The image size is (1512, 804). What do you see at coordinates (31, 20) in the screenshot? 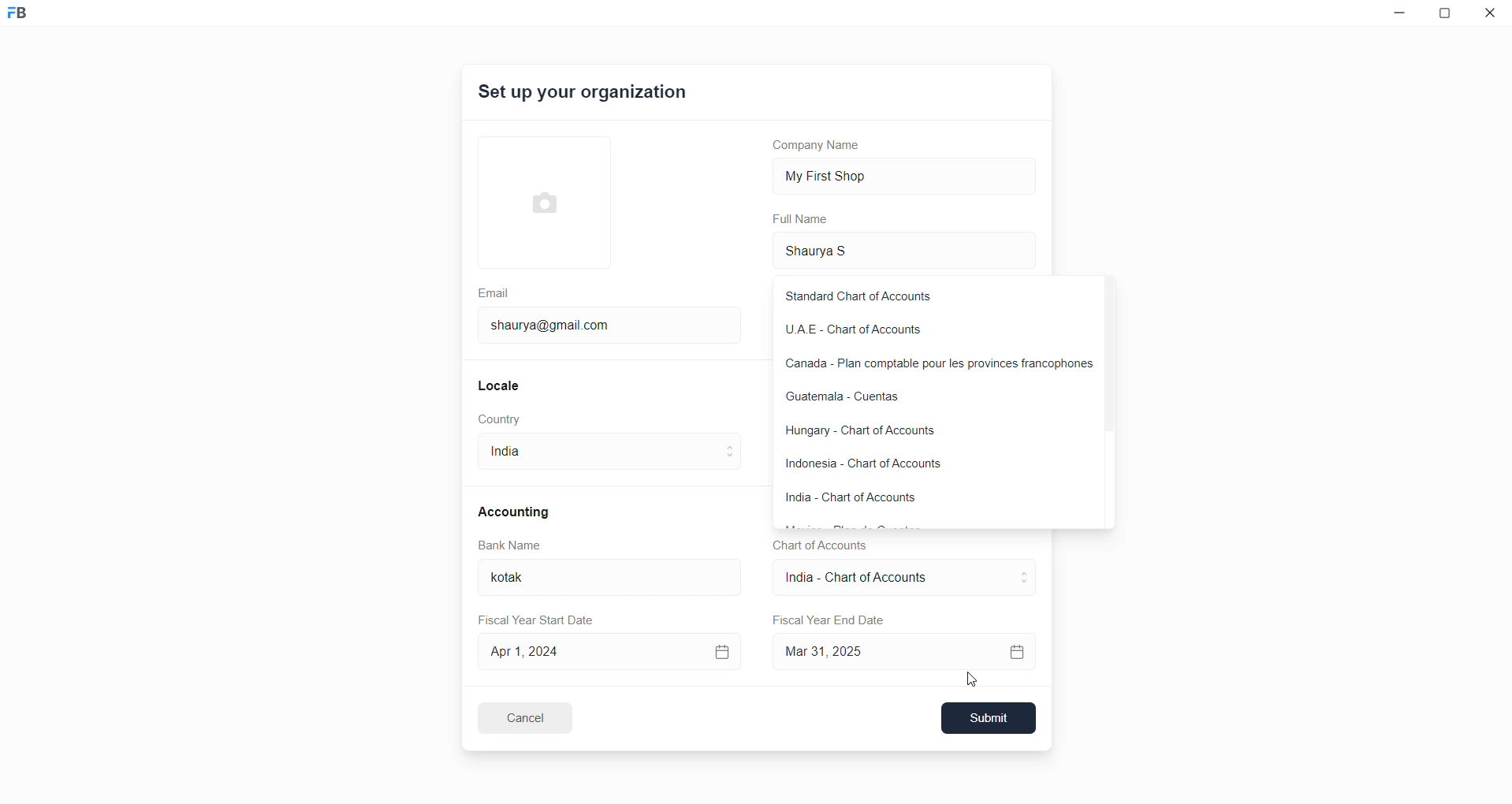
I see `Frappe Book logo` at bounding box center [31, 20].